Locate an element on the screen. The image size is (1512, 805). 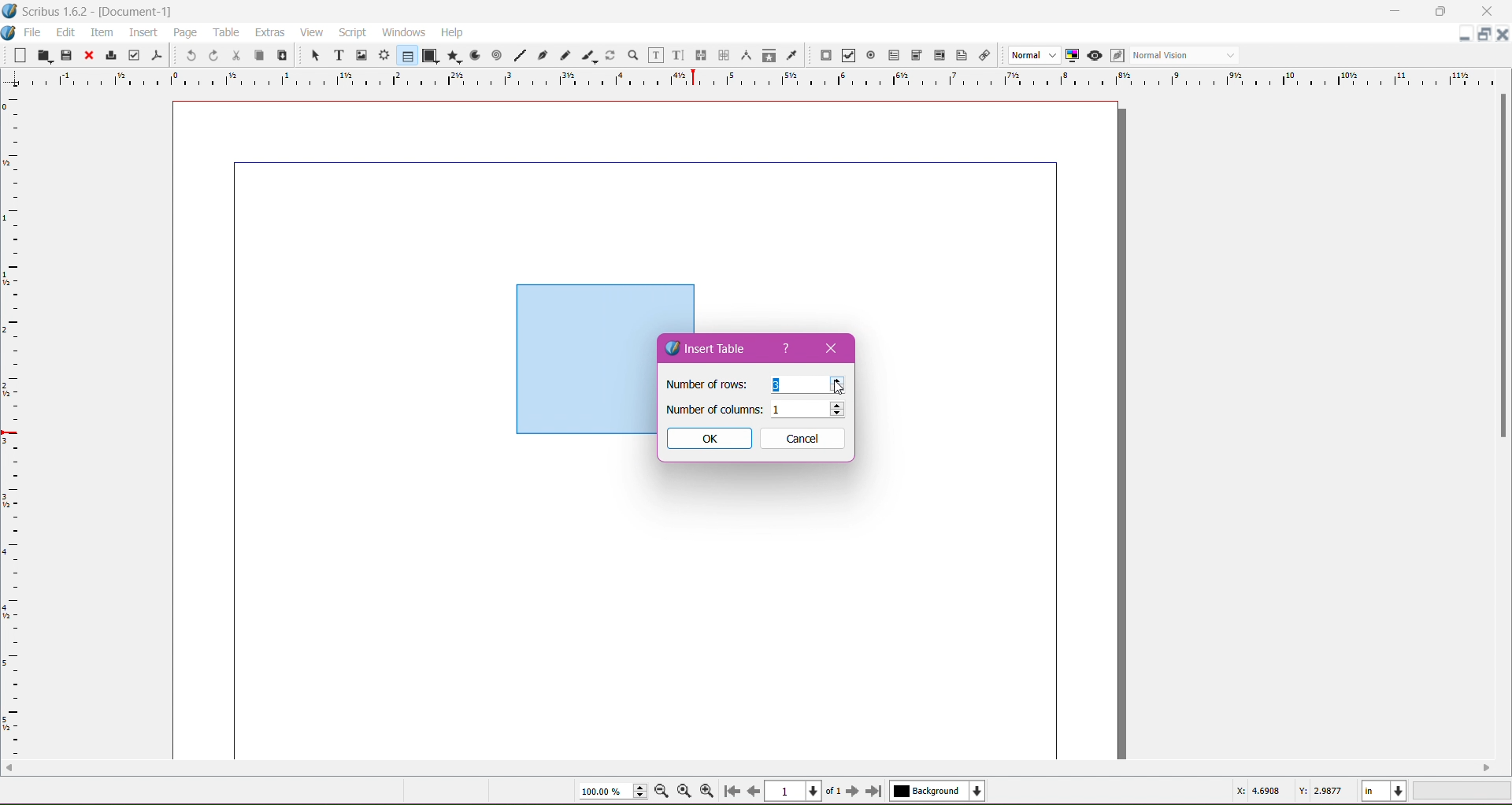
Zoom out is located at coordinates (665, 790).